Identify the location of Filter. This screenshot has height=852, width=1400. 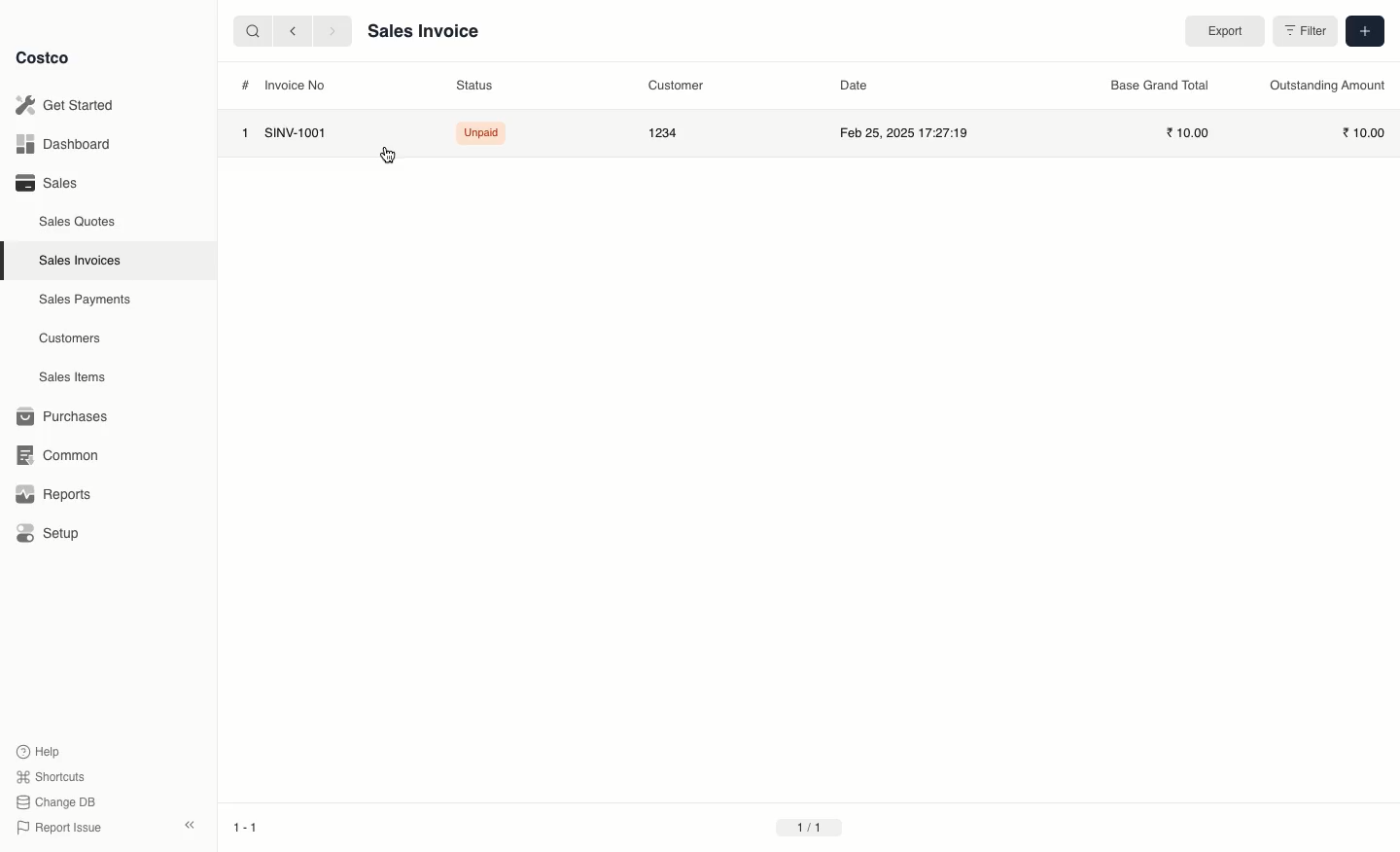
(1302, 33).